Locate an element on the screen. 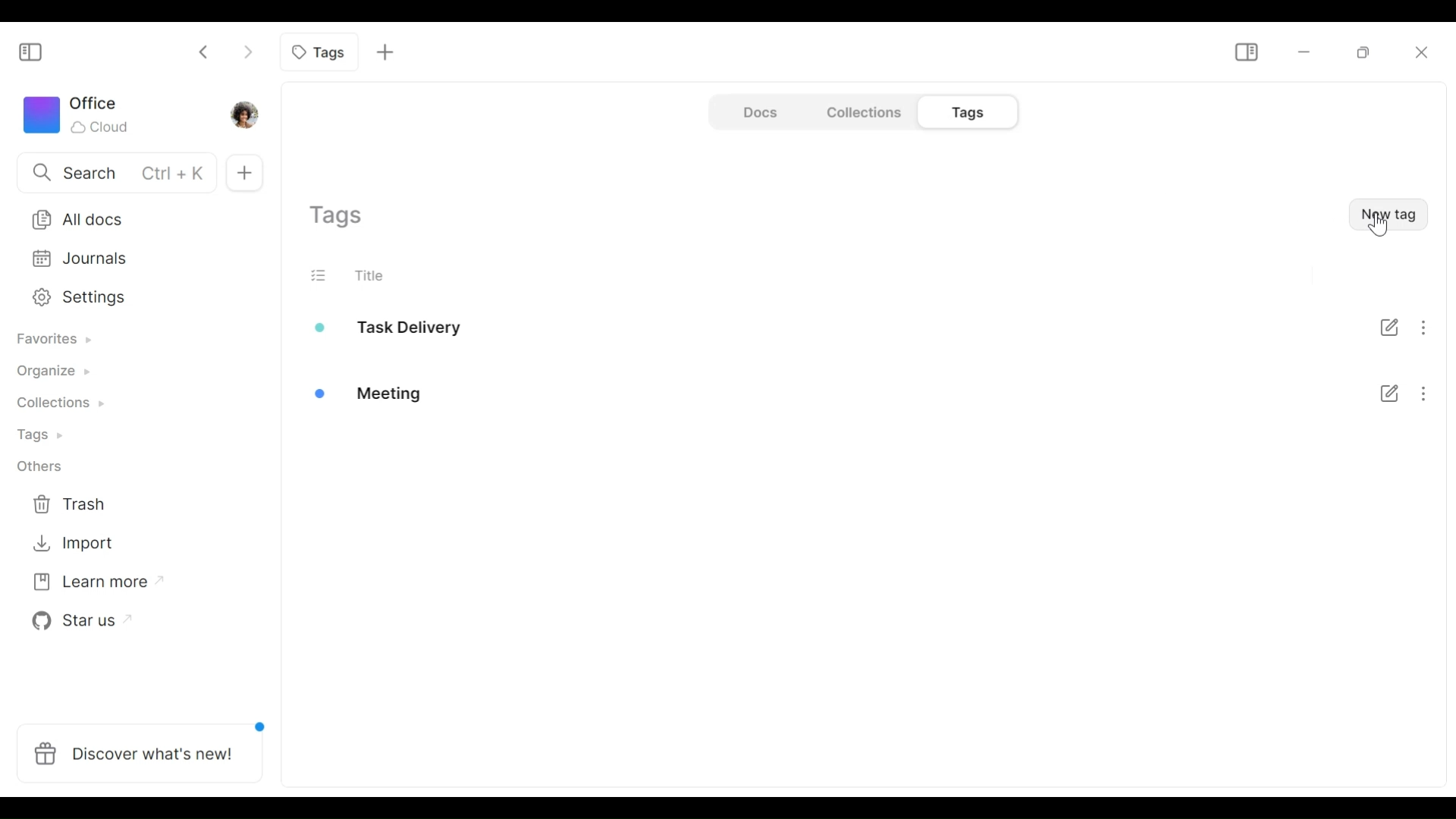 The image size is (1456, 819). Add new is located at coordinates (386, 52).